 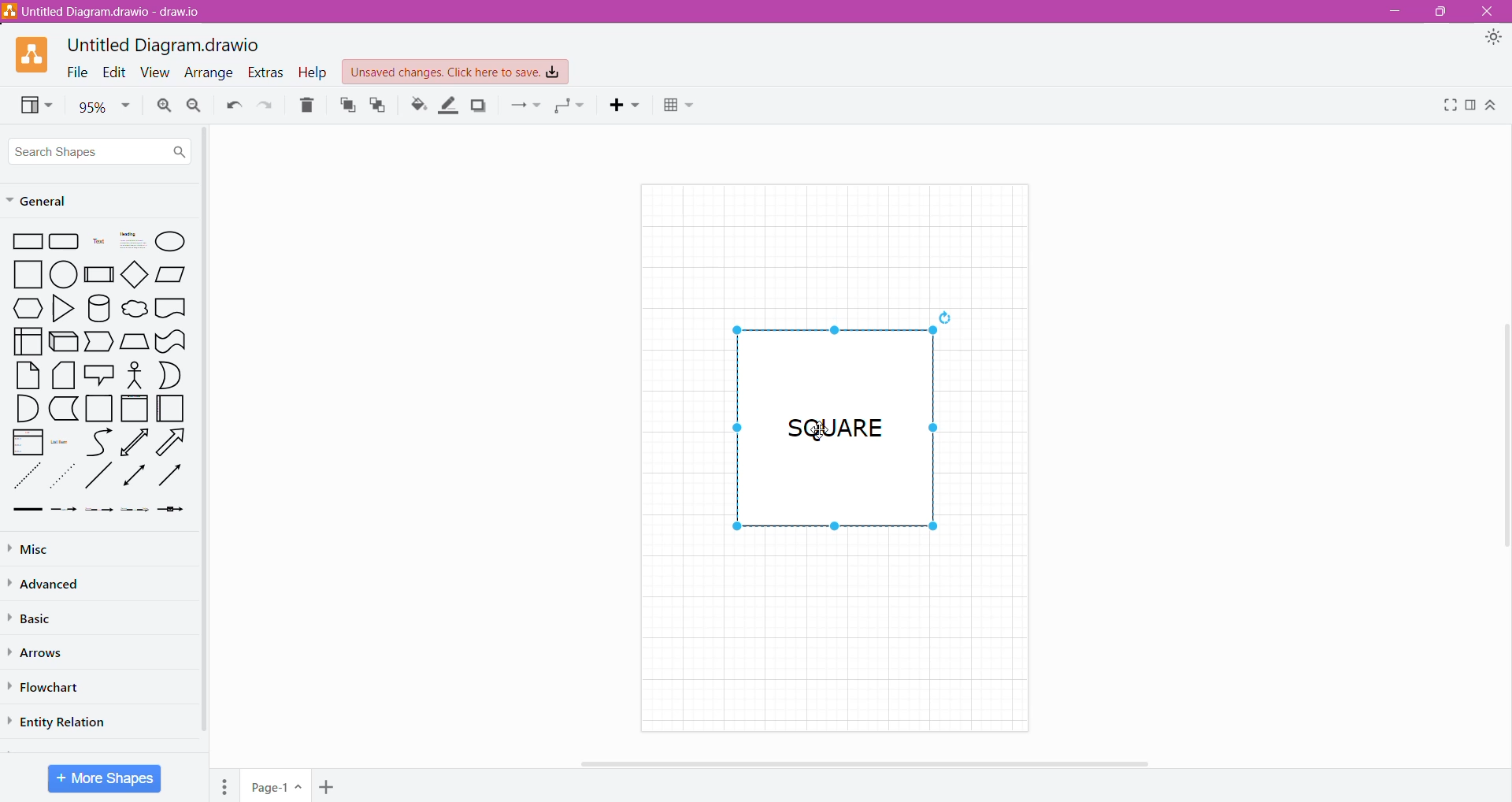 I want to click on Search Shapes, so click(x=101, y=150).